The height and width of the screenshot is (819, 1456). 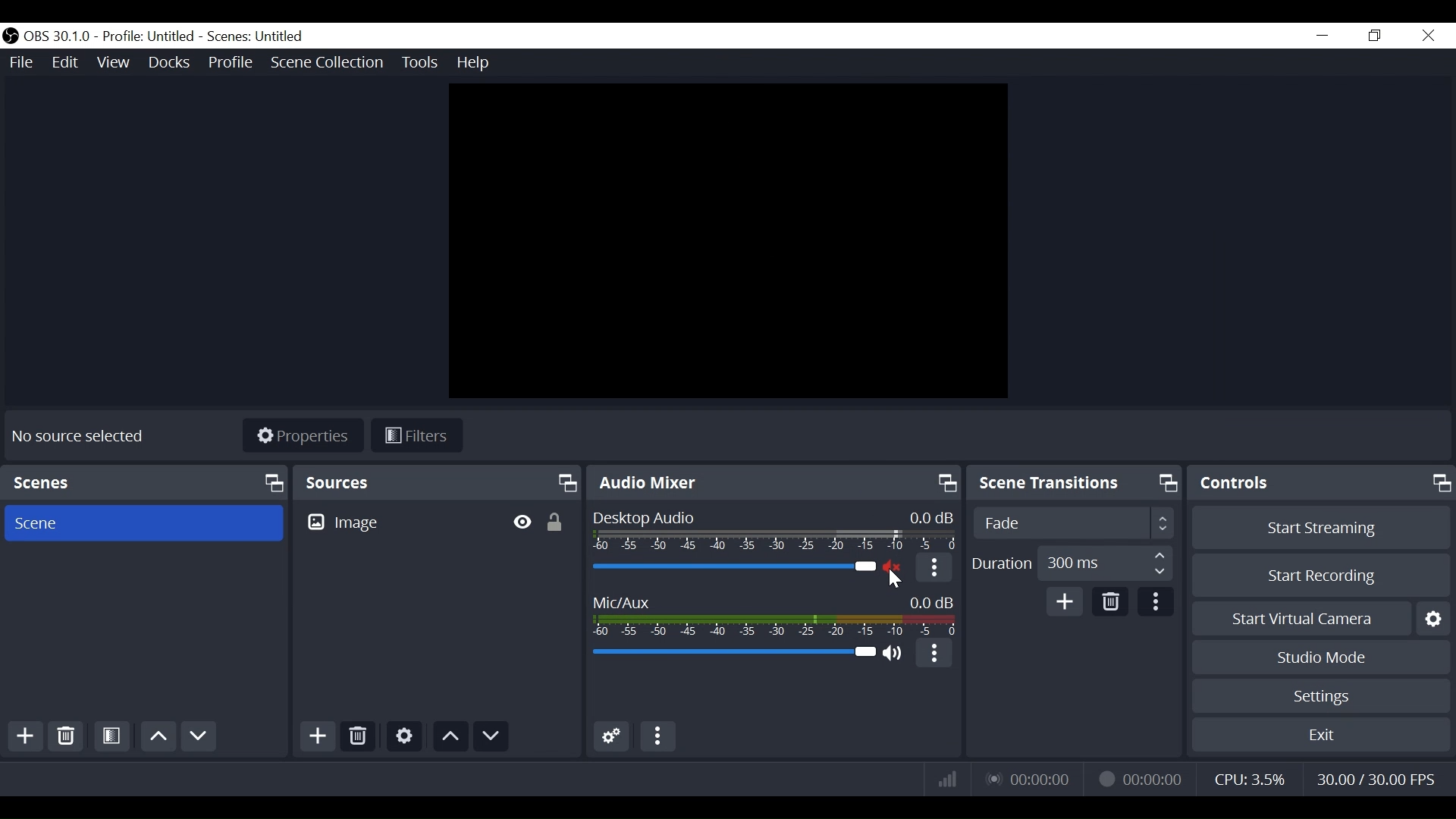 I want to click on (un)mute, so click(x=894, y=570).